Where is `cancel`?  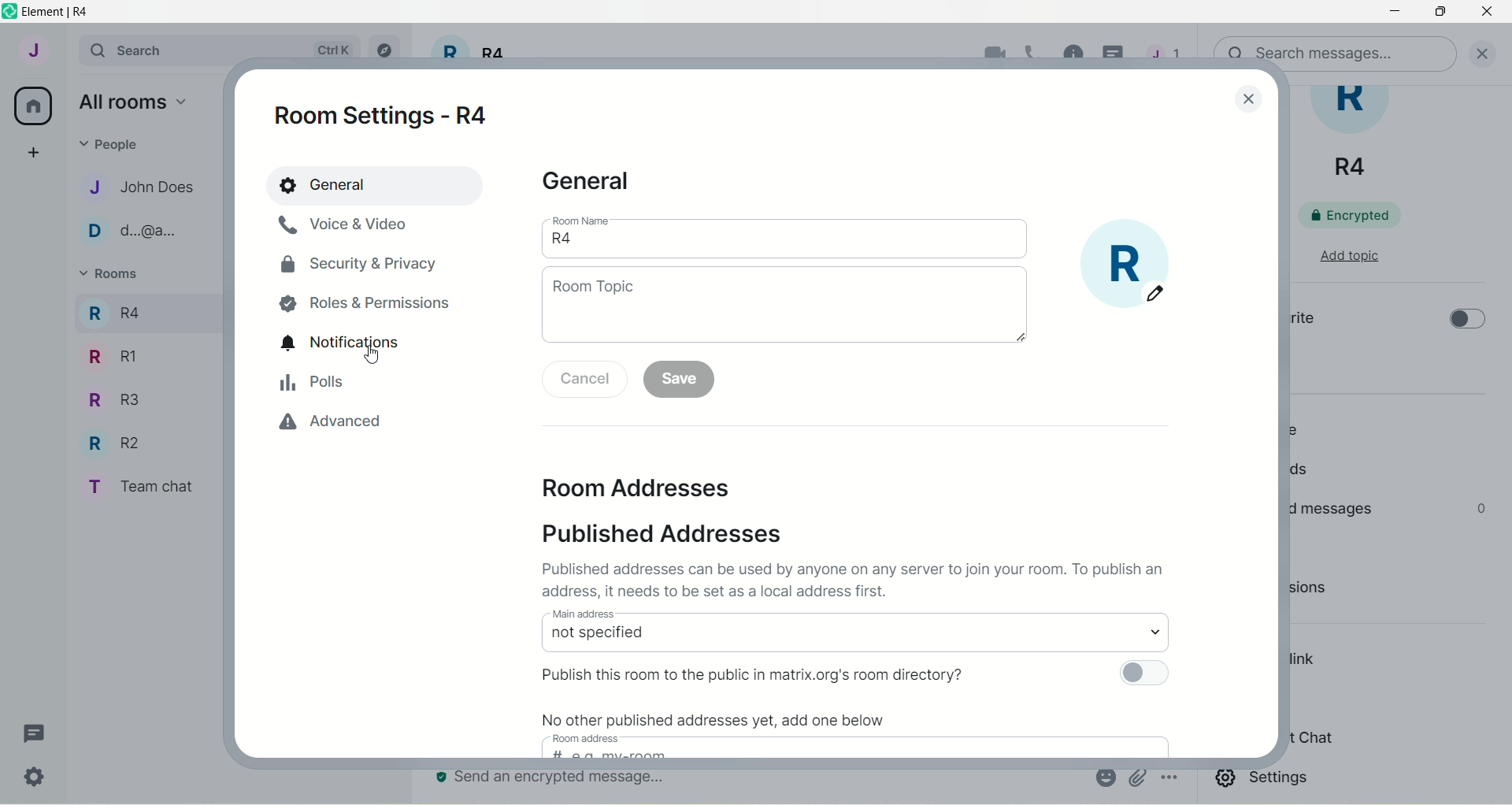
cancel is located at coordinates (580, 380).